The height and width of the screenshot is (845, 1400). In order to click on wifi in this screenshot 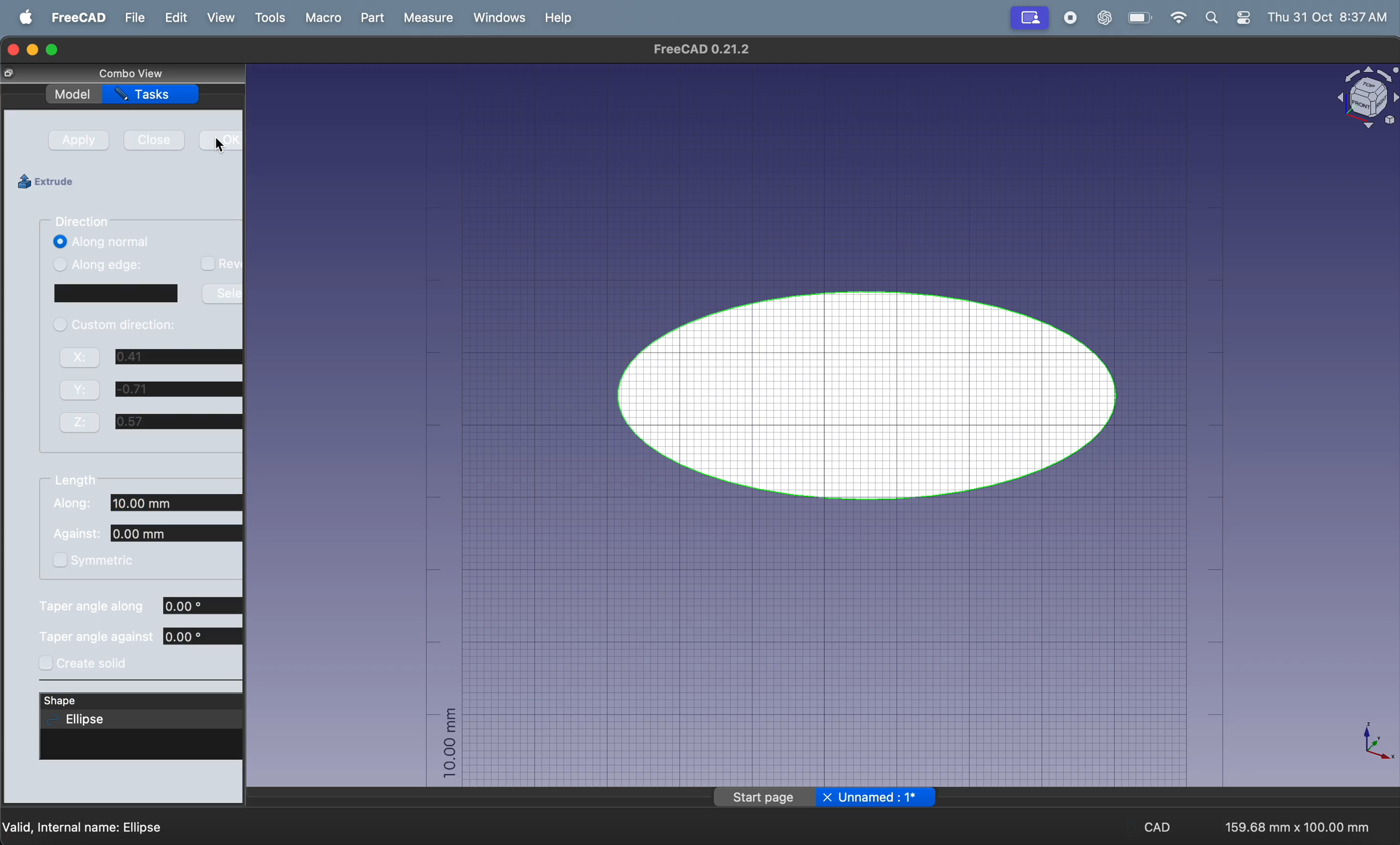, I will do `click(1176, 18)`.